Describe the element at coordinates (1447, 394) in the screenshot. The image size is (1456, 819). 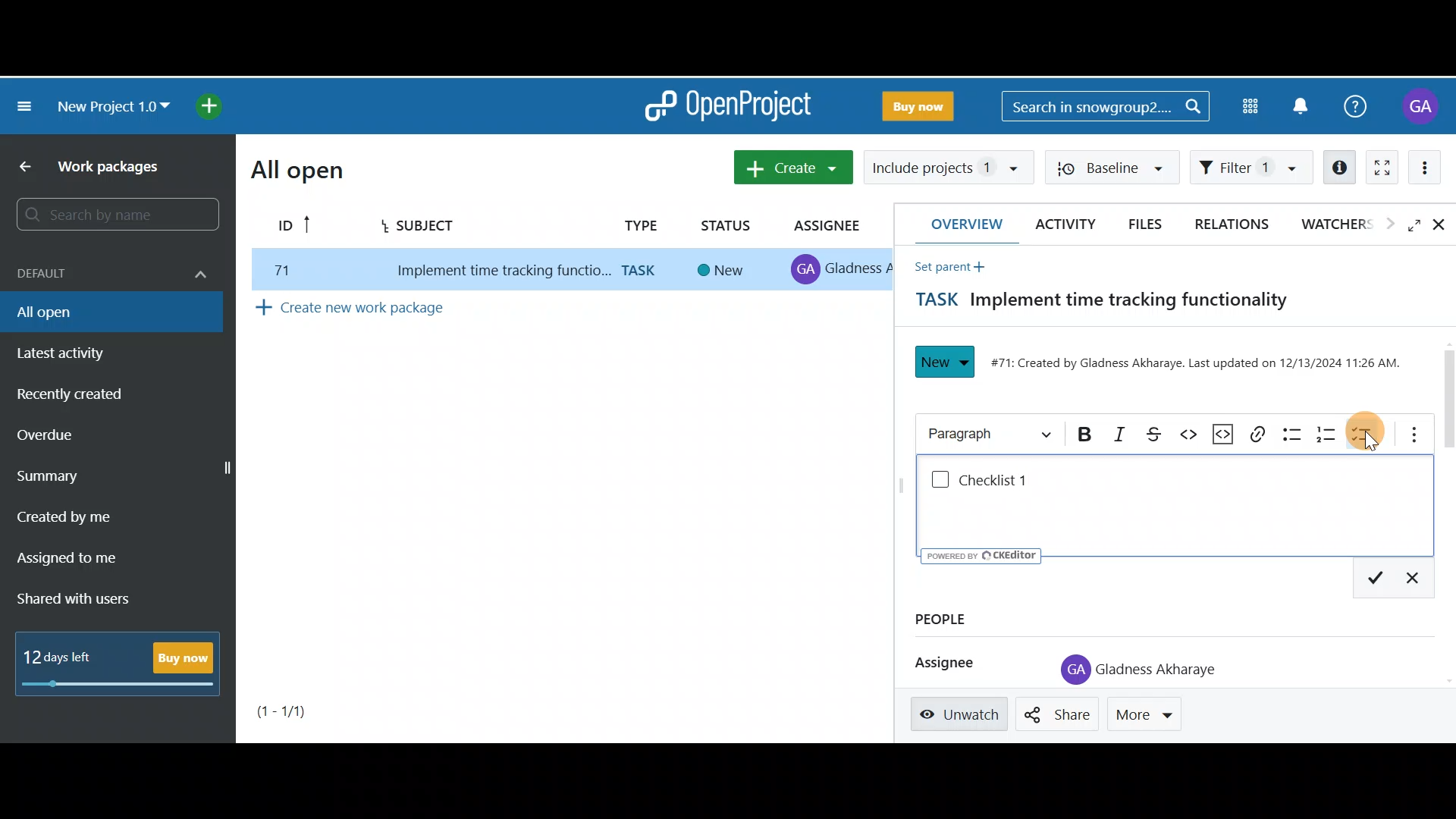
I see `Scroll bar` at that location.